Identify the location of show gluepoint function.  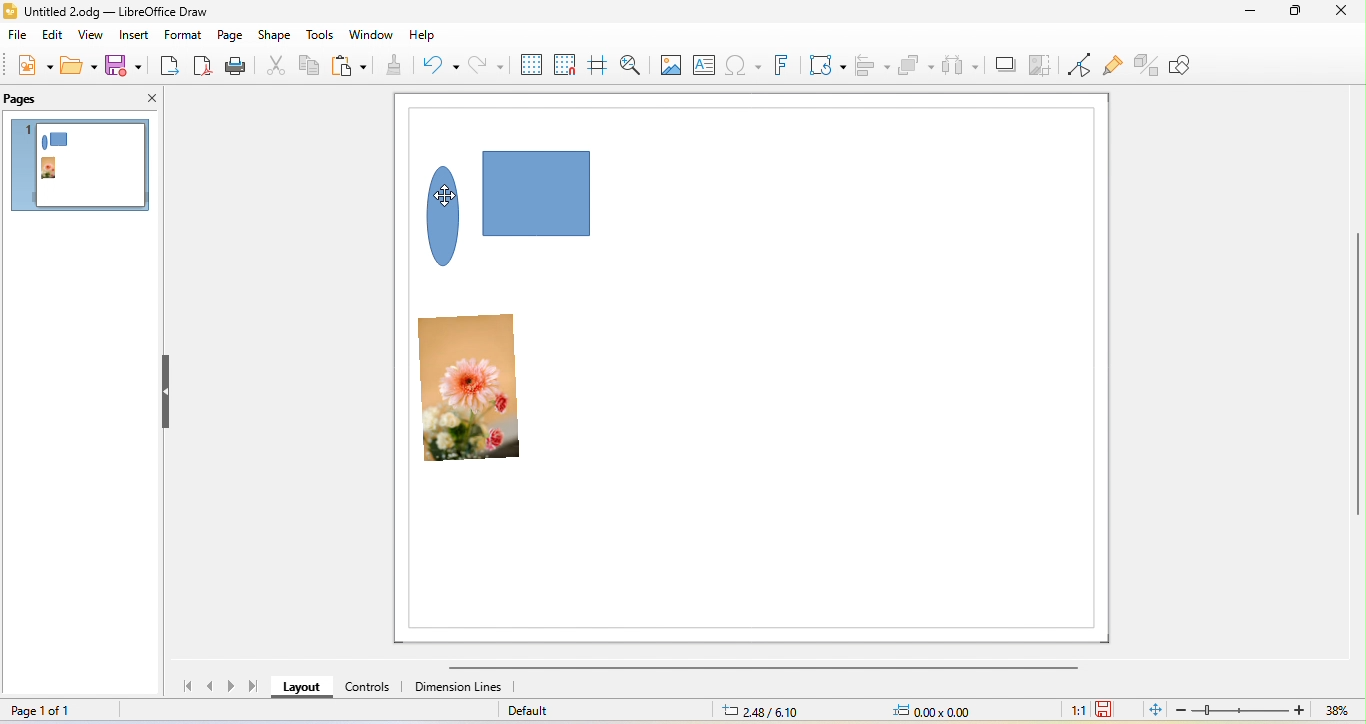
(1112, 62).